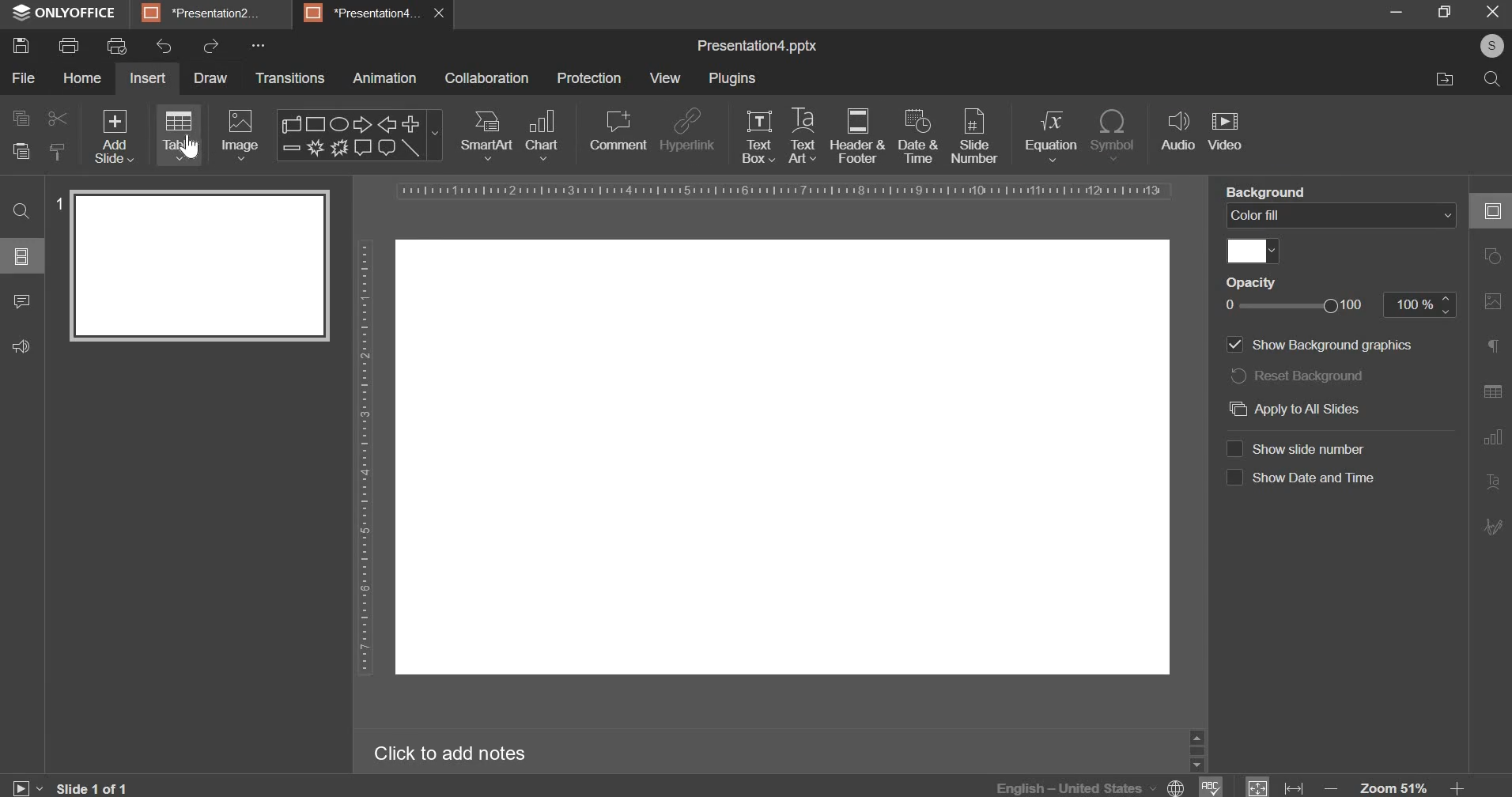 The width and height of the screenshot is (1512, 797). What do you see at coordinates (1249, 282) in the screenshot?
I see `Opacity` at bounding box center [1249, 282].